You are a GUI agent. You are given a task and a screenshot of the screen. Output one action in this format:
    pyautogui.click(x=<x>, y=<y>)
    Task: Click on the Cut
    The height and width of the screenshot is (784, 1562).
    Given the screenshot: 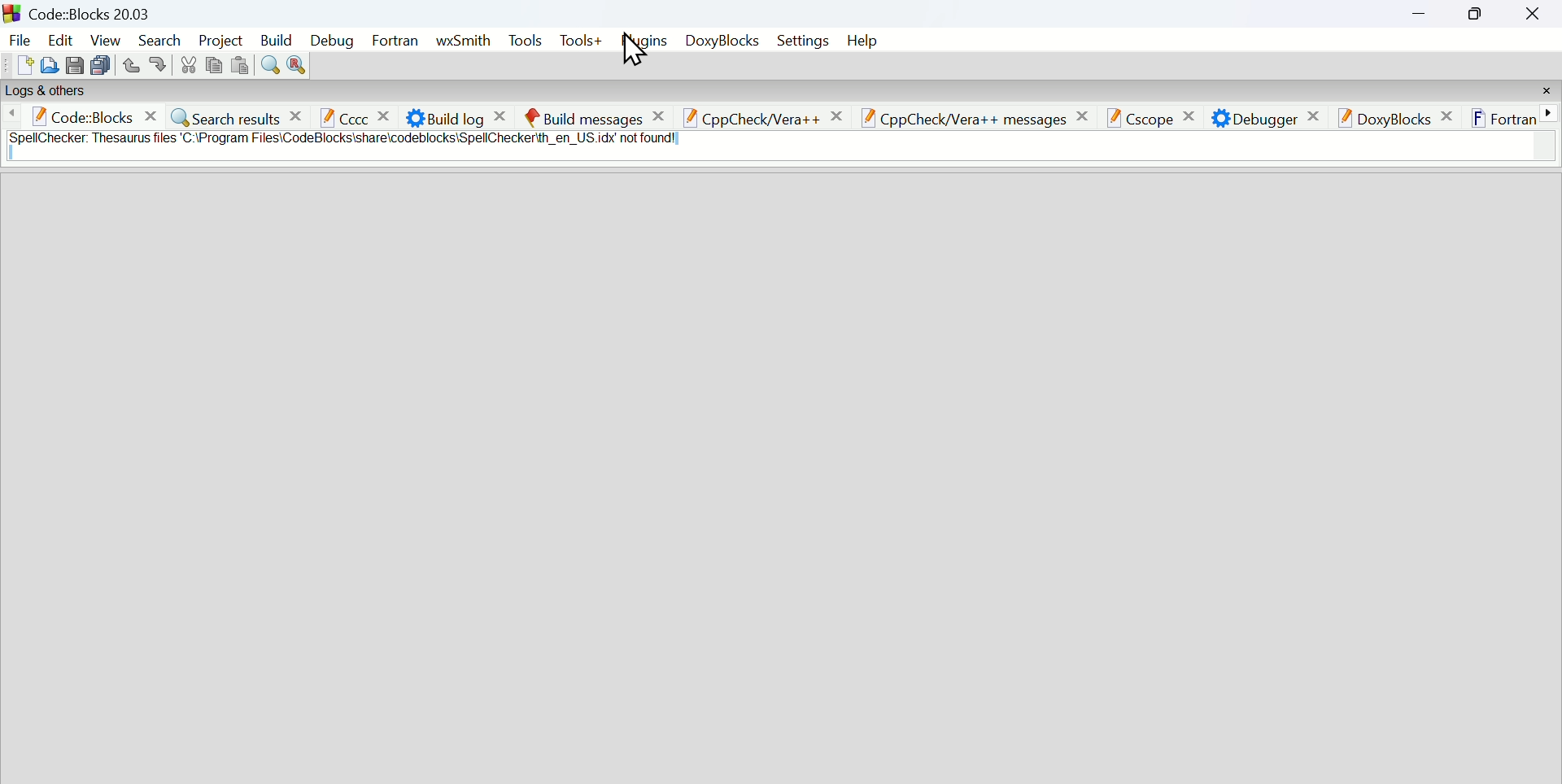 What is the action you would take?
    pyautogui.click(x=189, y=64)
    